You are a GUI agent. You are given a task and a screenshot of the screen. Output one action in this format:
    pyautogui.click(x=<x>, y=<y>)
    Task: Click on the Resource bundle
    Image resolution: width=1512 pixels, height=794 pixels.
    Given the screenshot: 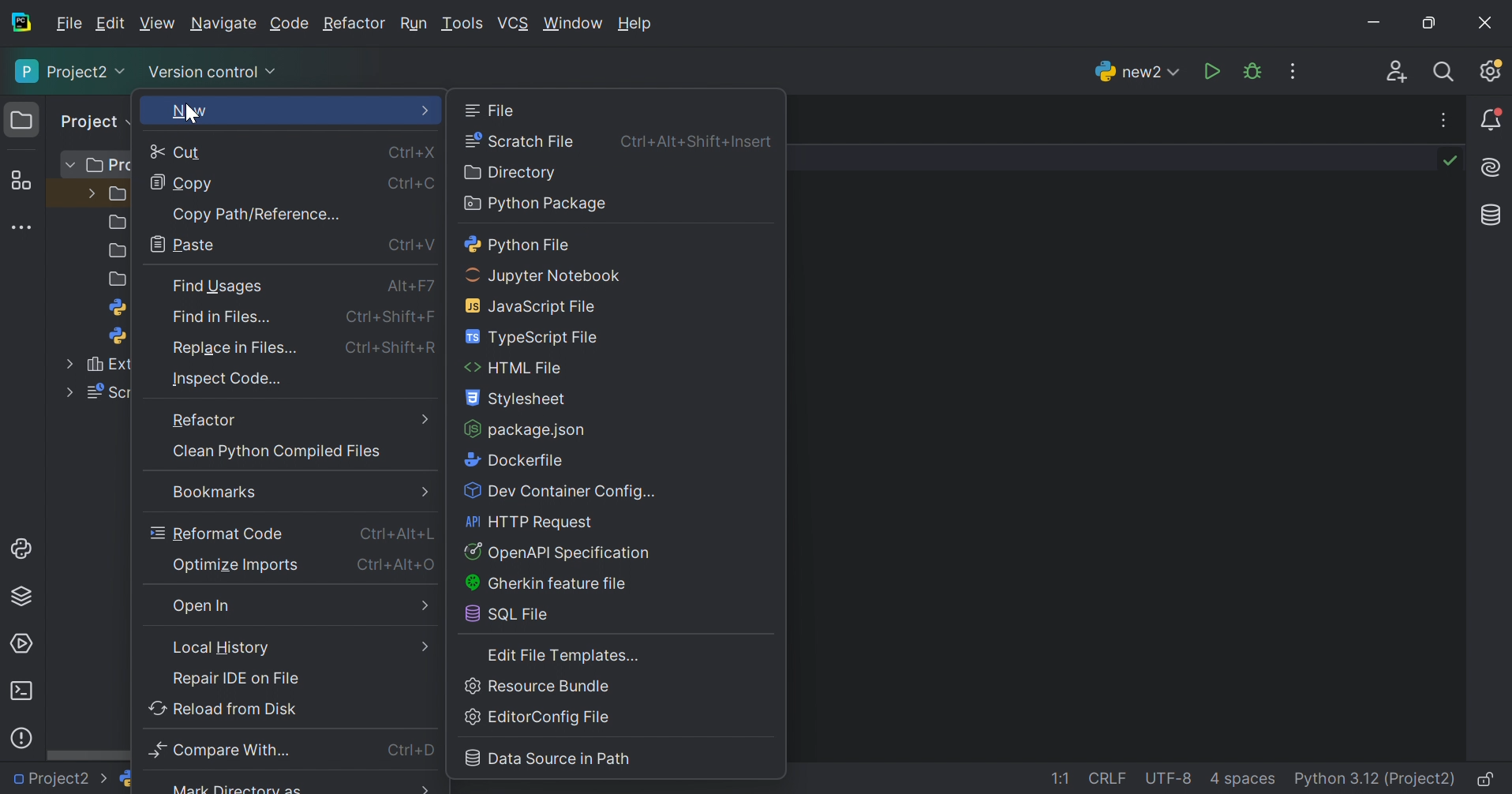 What is the action you would take?
    pyautogui.click(x=538, y=686)
    